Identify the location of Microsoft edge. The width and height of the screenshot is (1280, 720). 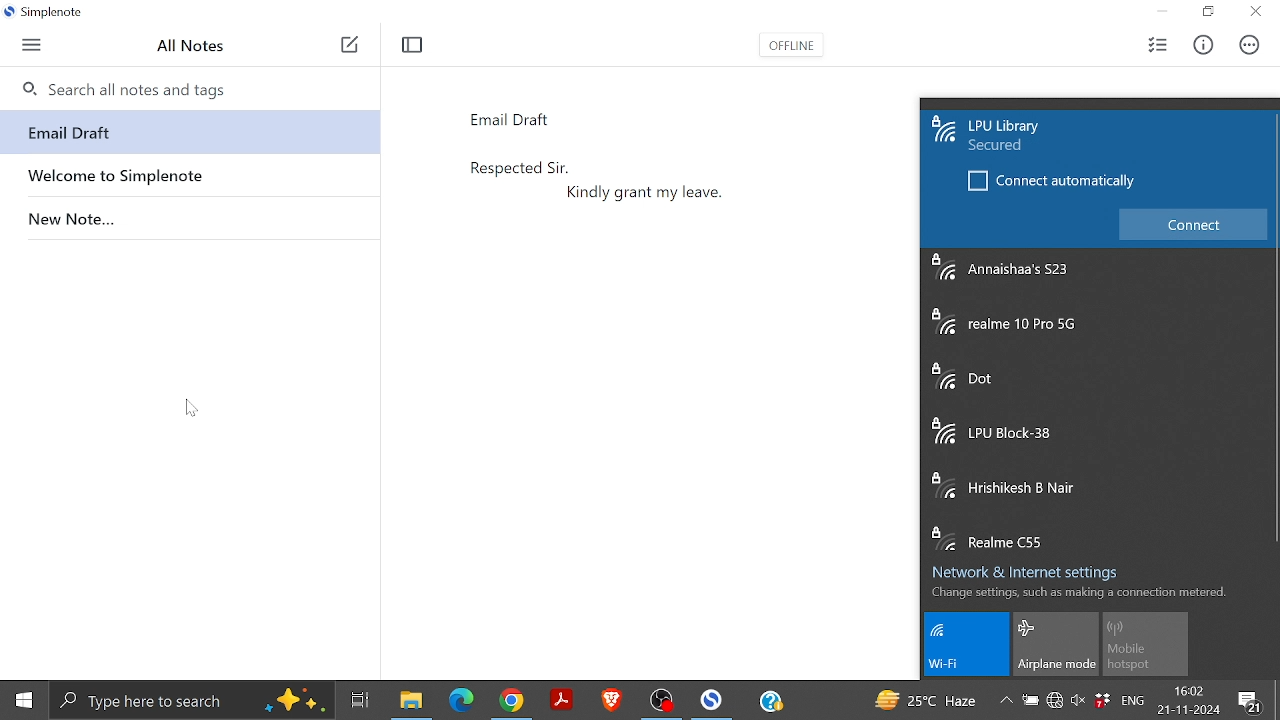
(461, 700).